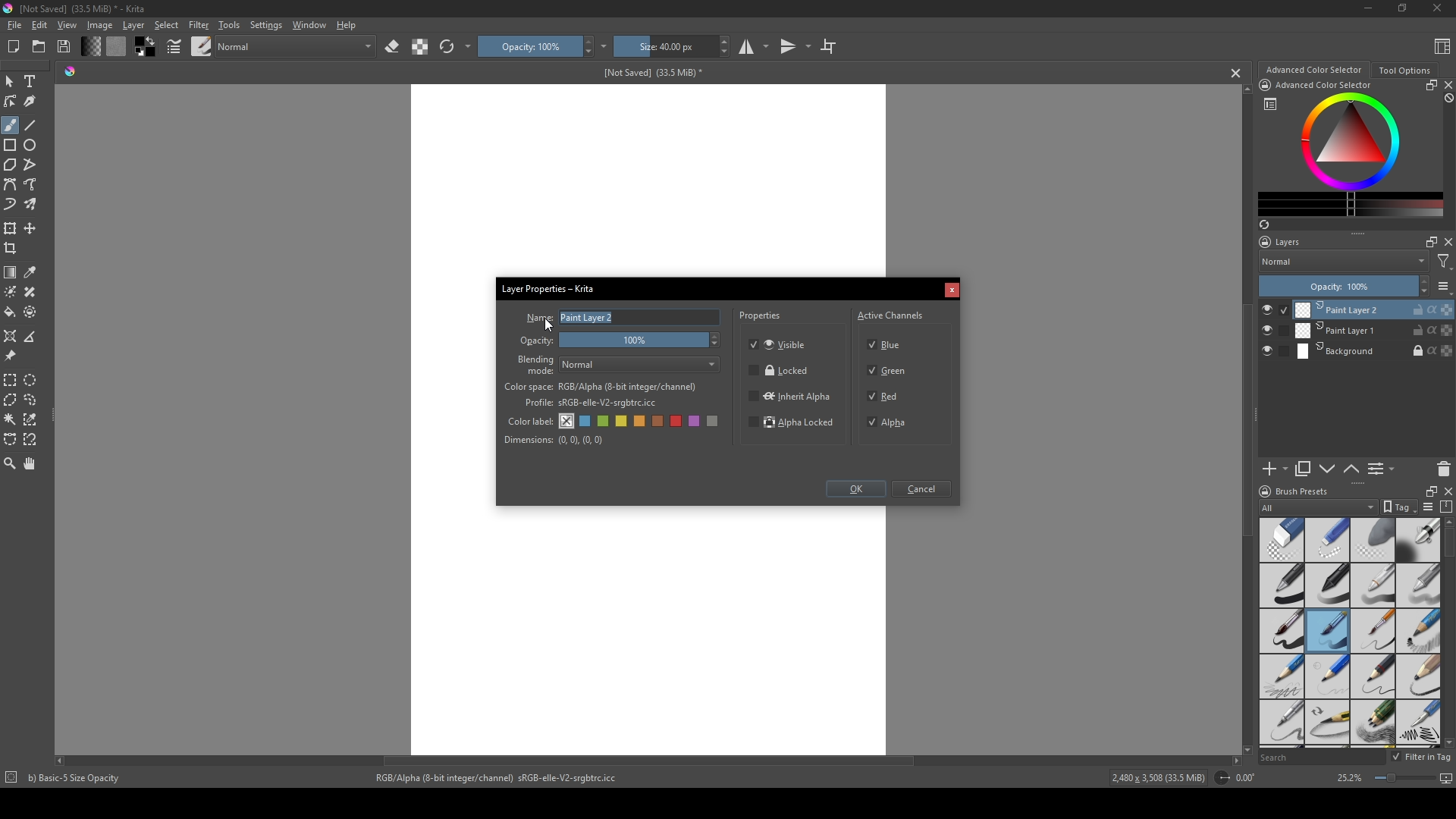 The image size is (1456, 819). I want to click on Background, so click(1375, 352).